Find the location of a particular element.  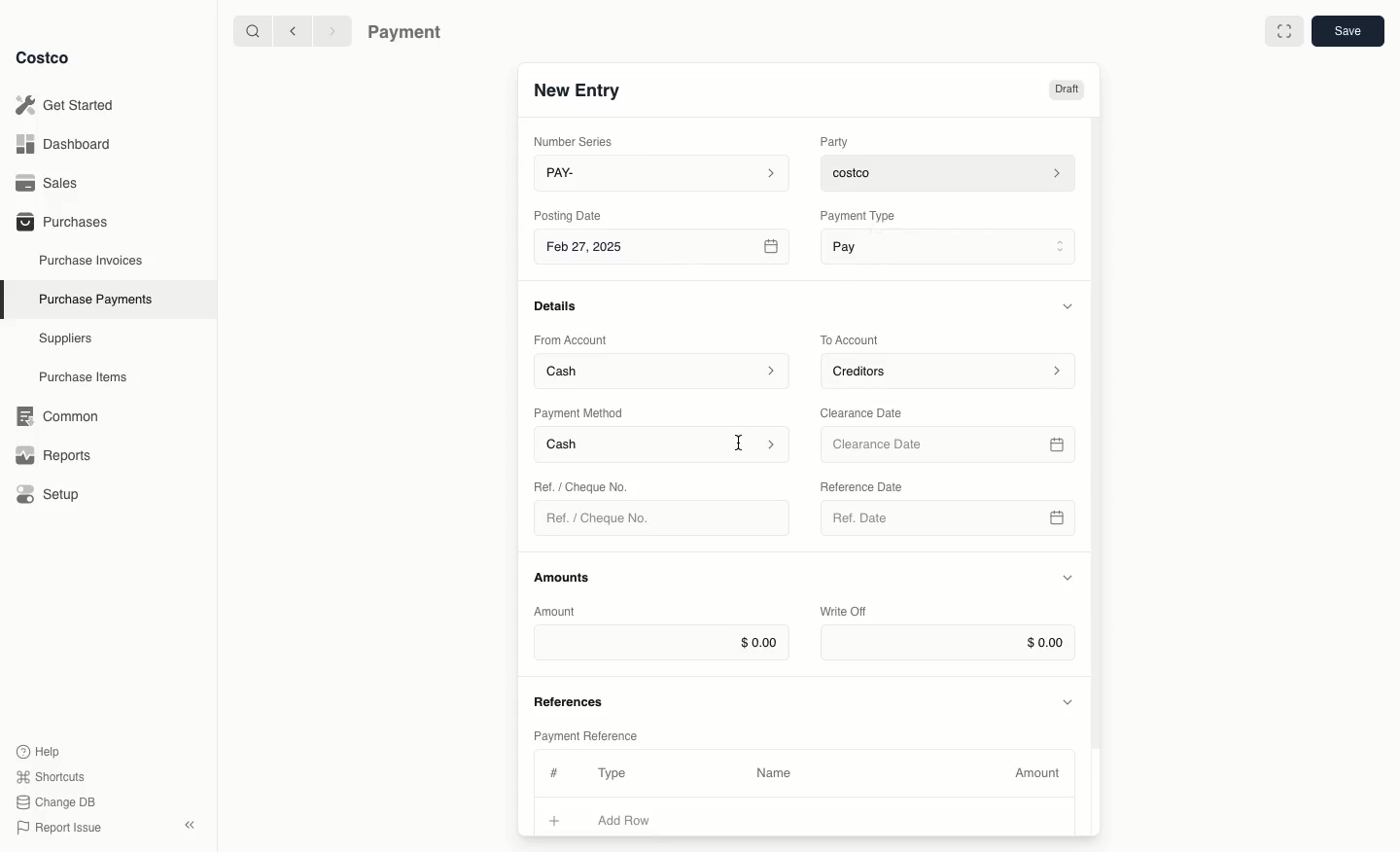

Setup is located at coordinates (54, 496).